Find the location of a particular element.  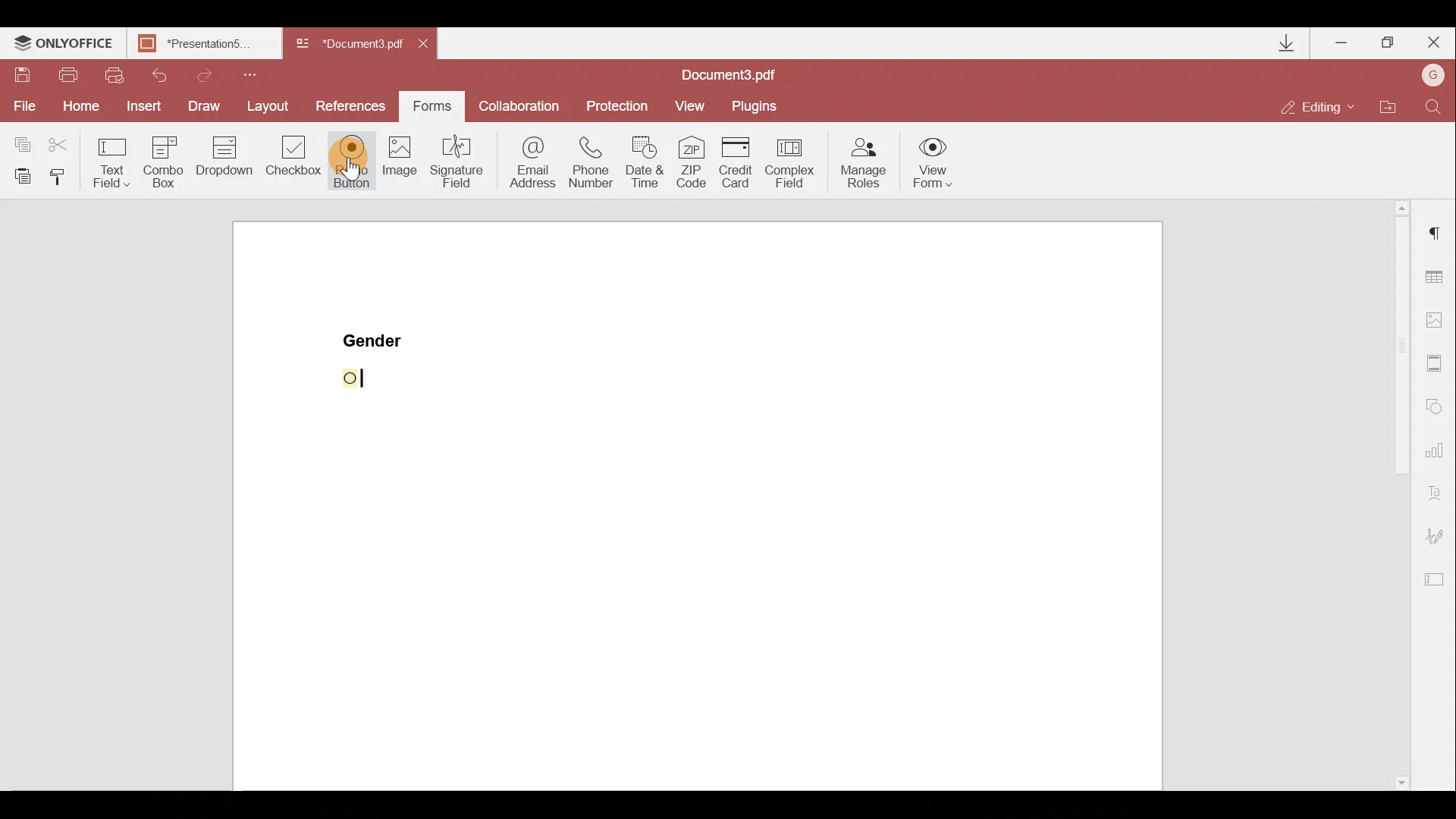

 space is located at coordinates (352, 378).